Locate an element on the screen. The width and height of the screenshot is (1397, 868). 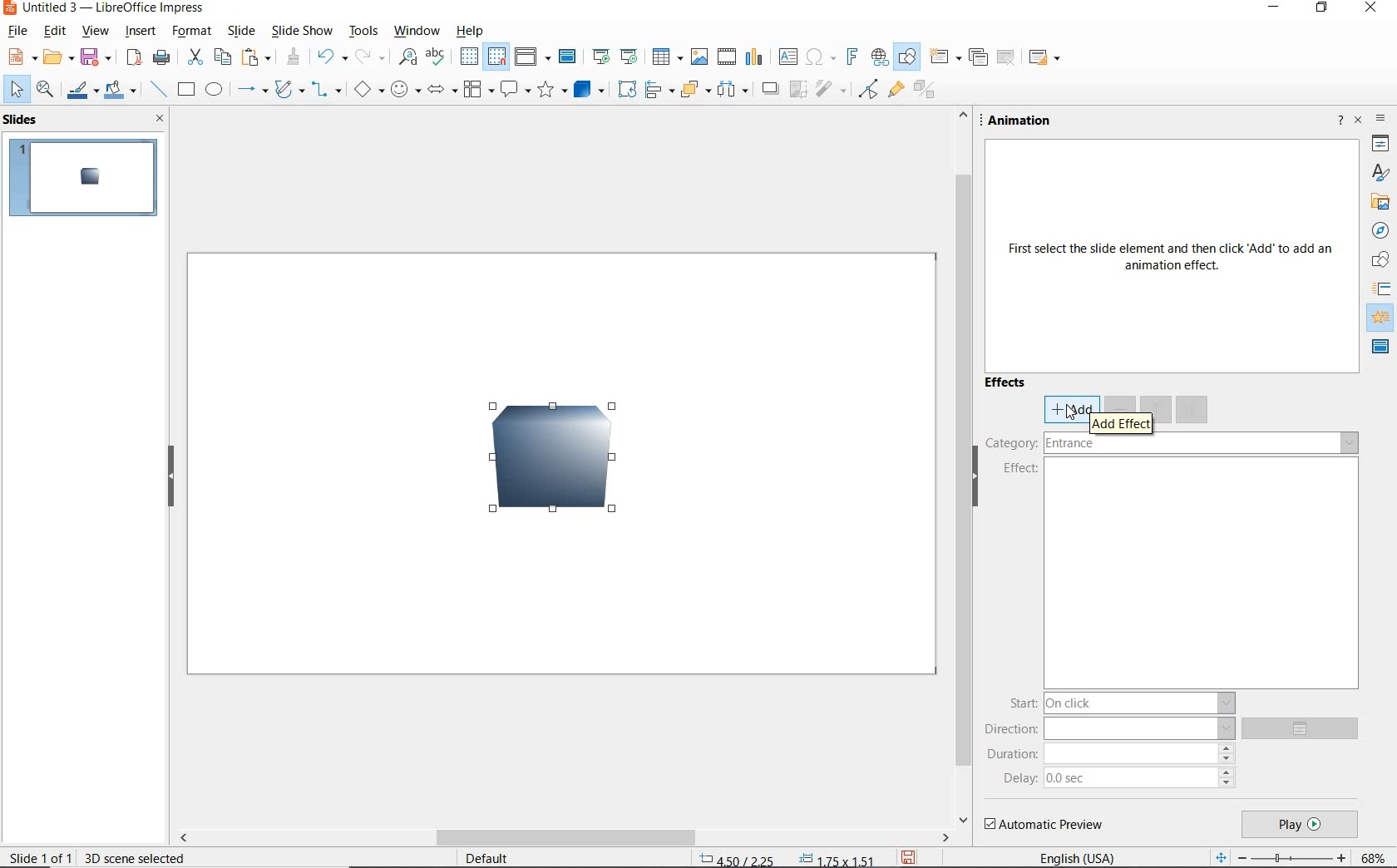
redo is located at coordinates (368, 57).